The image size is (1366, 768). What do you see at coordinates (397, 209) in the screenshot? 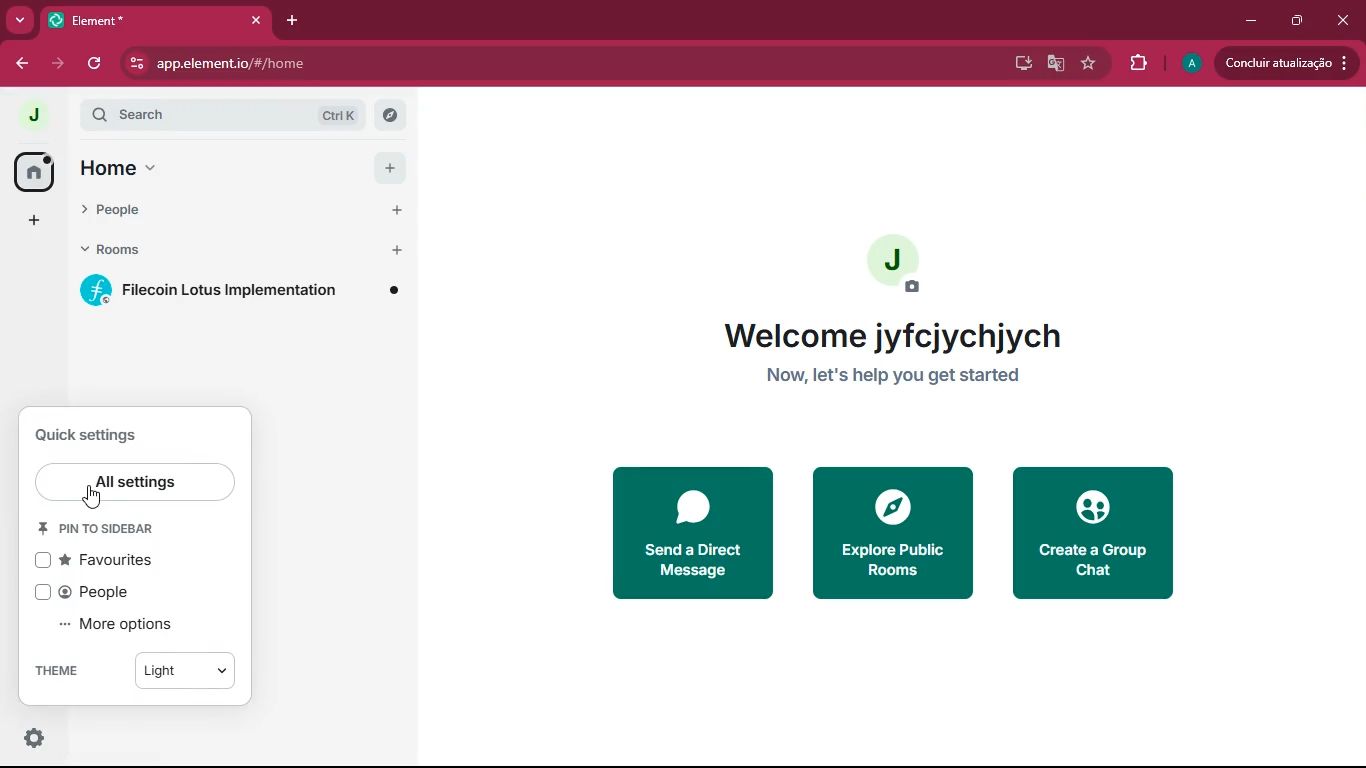
I see `start chat` at bounding box center [397, 209].